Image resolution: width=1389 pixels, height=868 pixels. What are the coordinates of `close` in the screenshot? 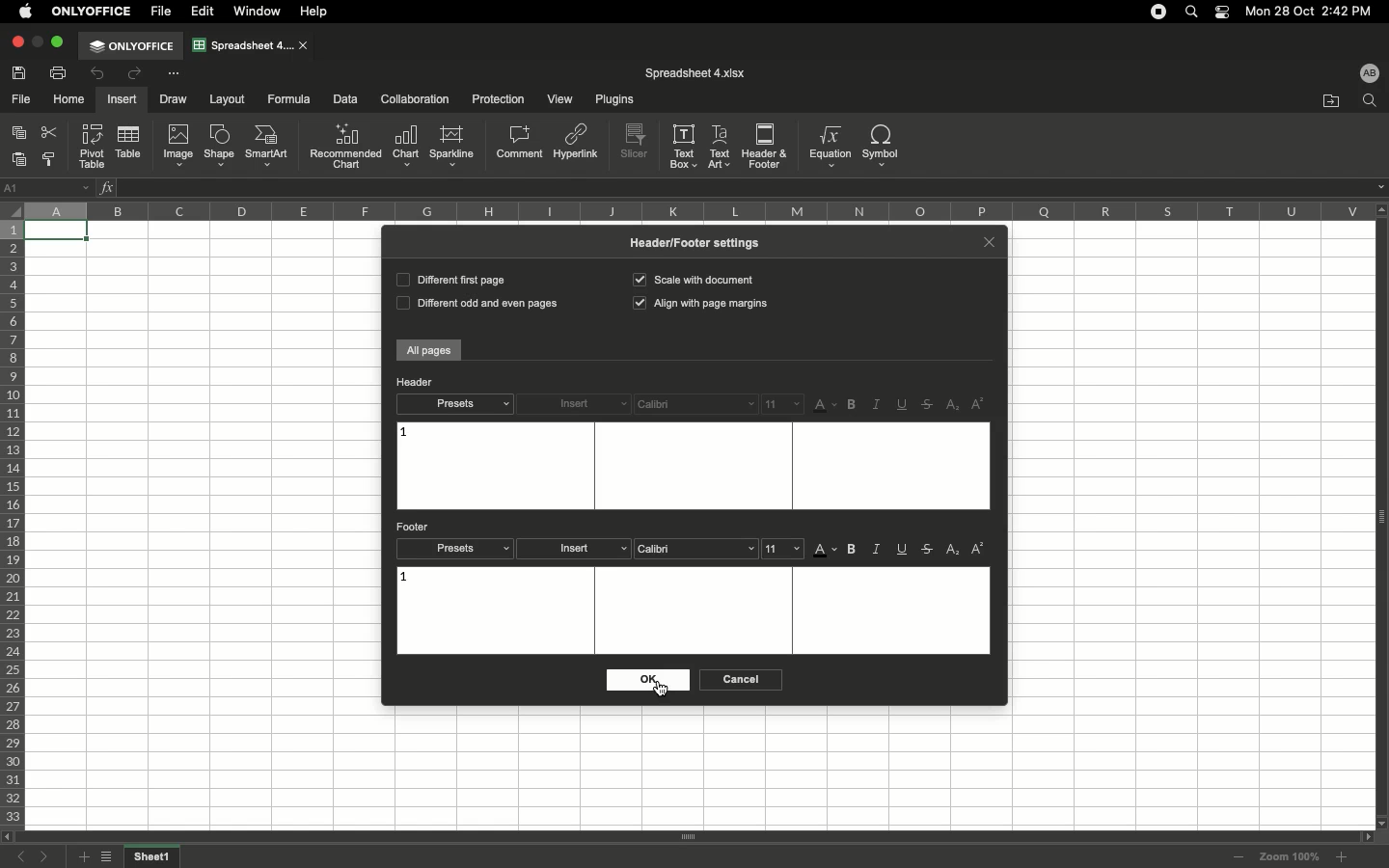 It's located at (305, 46).